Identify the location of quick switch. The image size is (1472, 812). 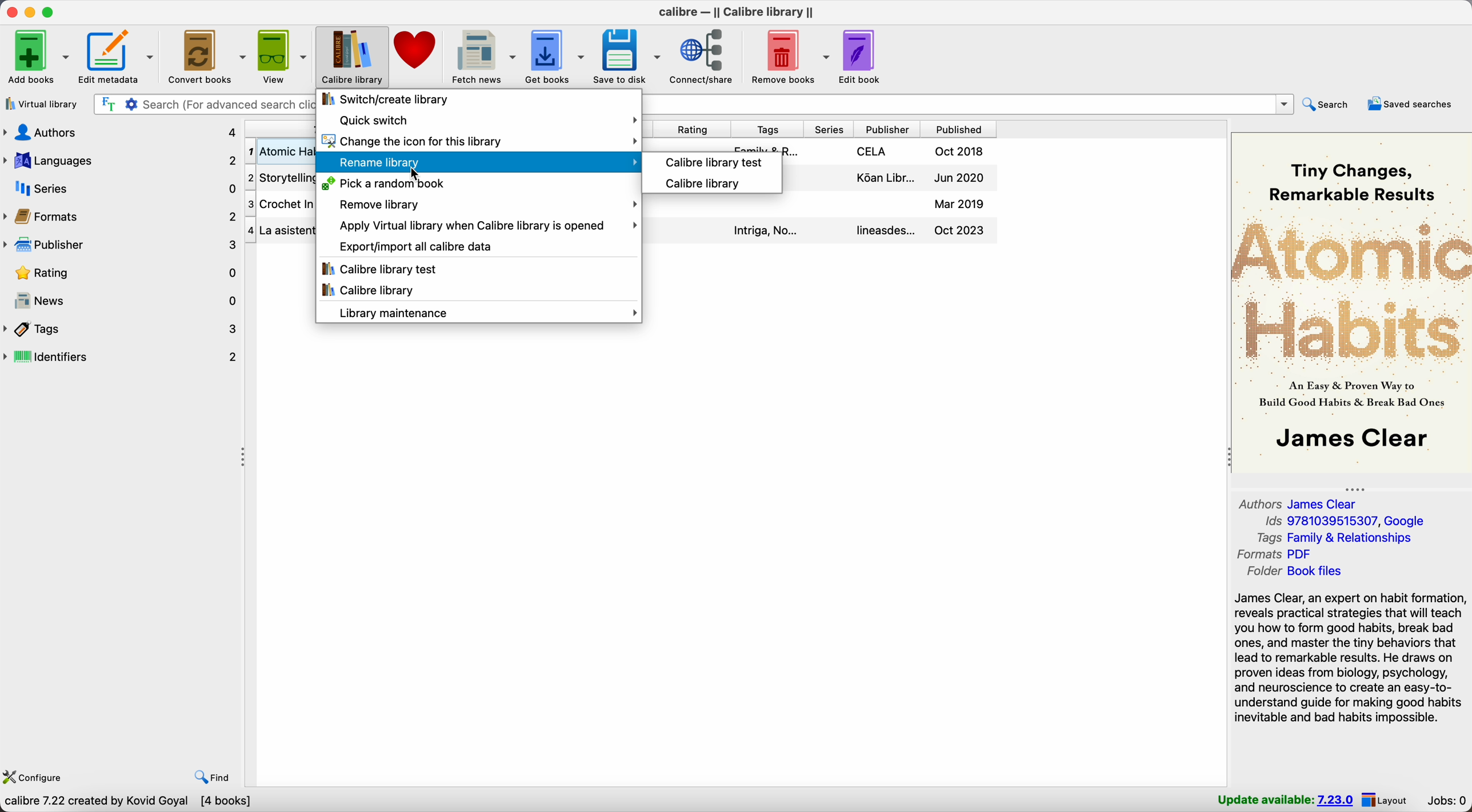
(486, 120).